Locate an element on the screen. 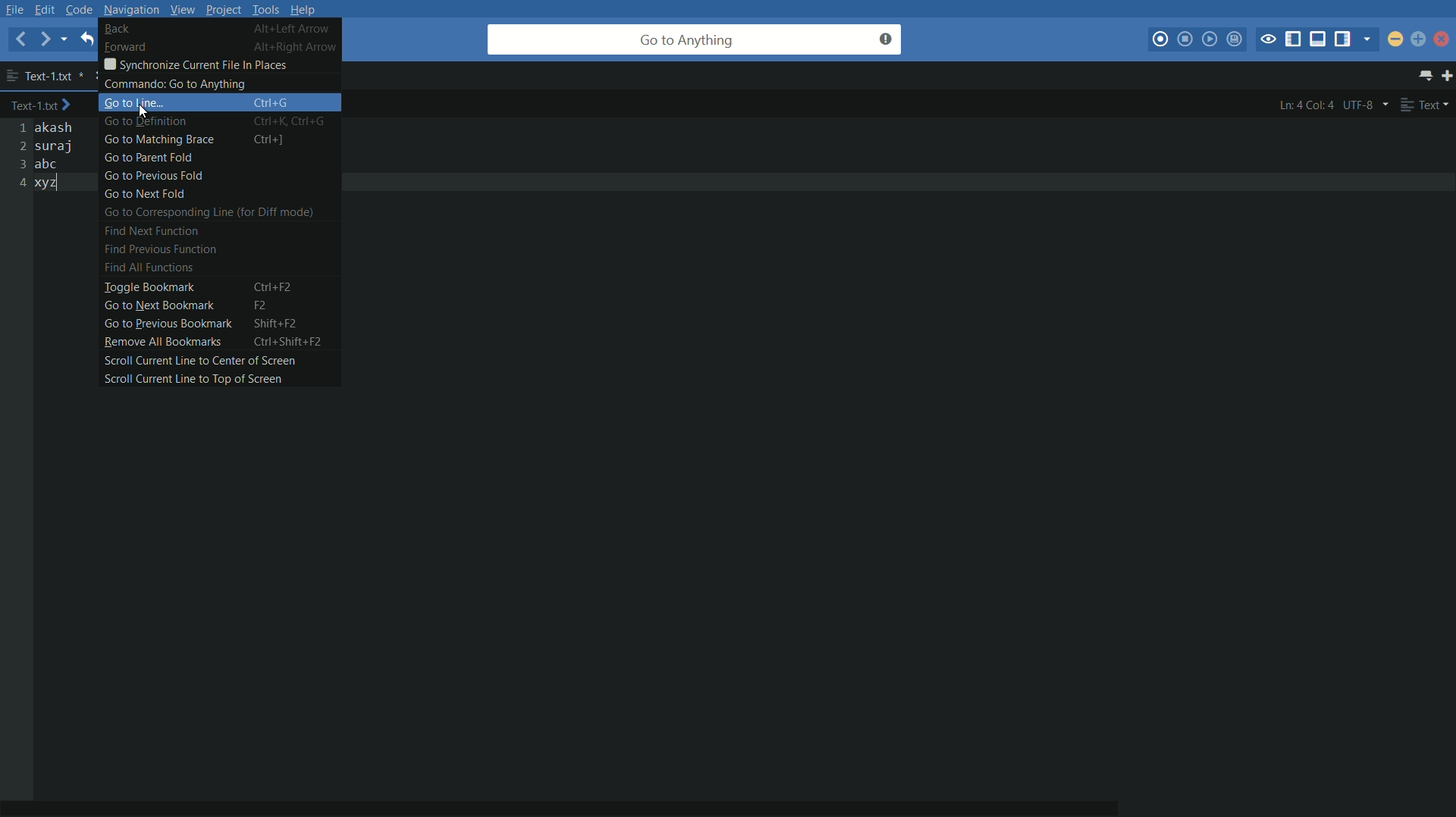  close is located at coordinates (1443, 42).